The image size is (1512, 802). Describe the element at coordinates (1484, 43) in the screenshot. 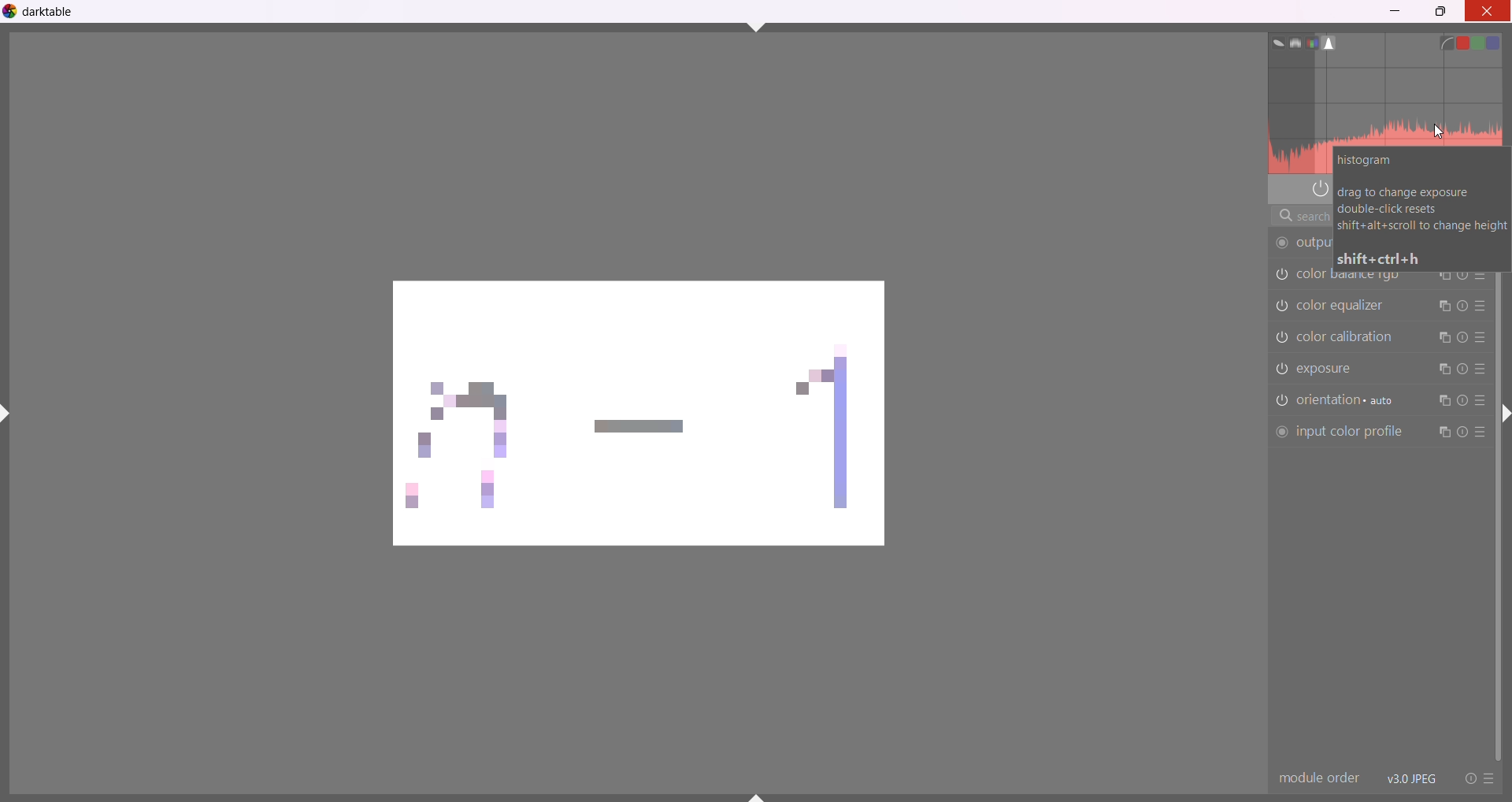

I see `green` at that location.